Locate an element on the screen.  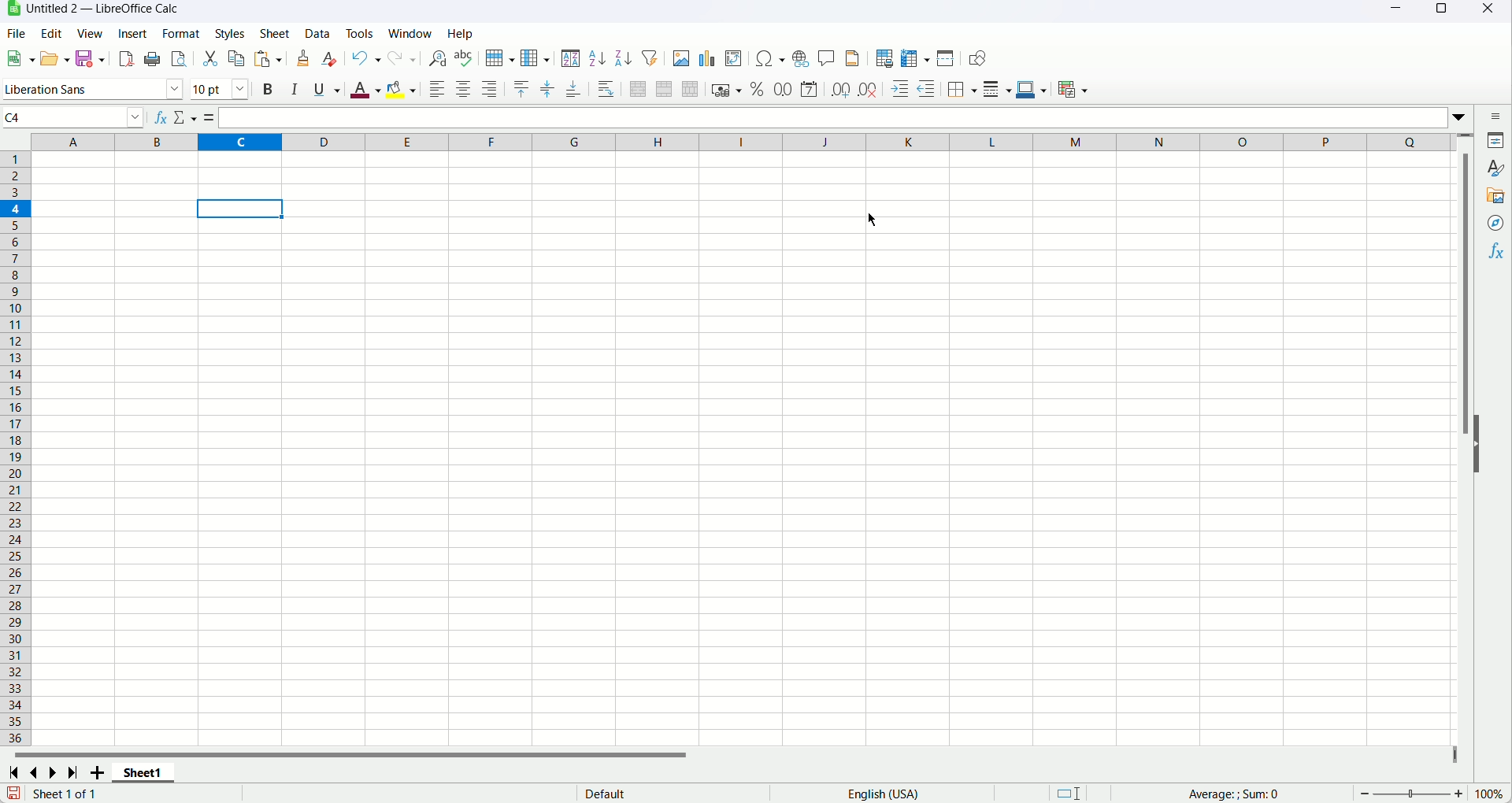
Paste is located at coordinates (268, 59).